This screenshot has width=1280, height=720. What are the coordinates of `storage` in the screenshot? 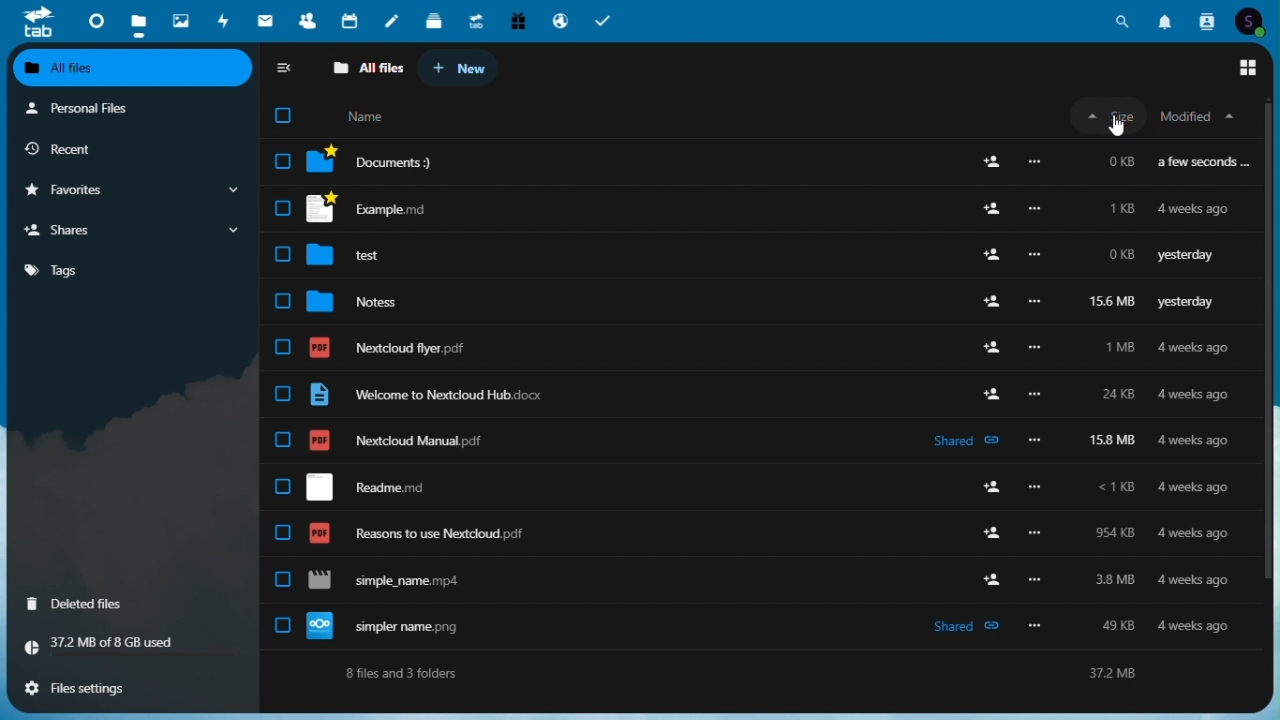 It's located at (131, 646).